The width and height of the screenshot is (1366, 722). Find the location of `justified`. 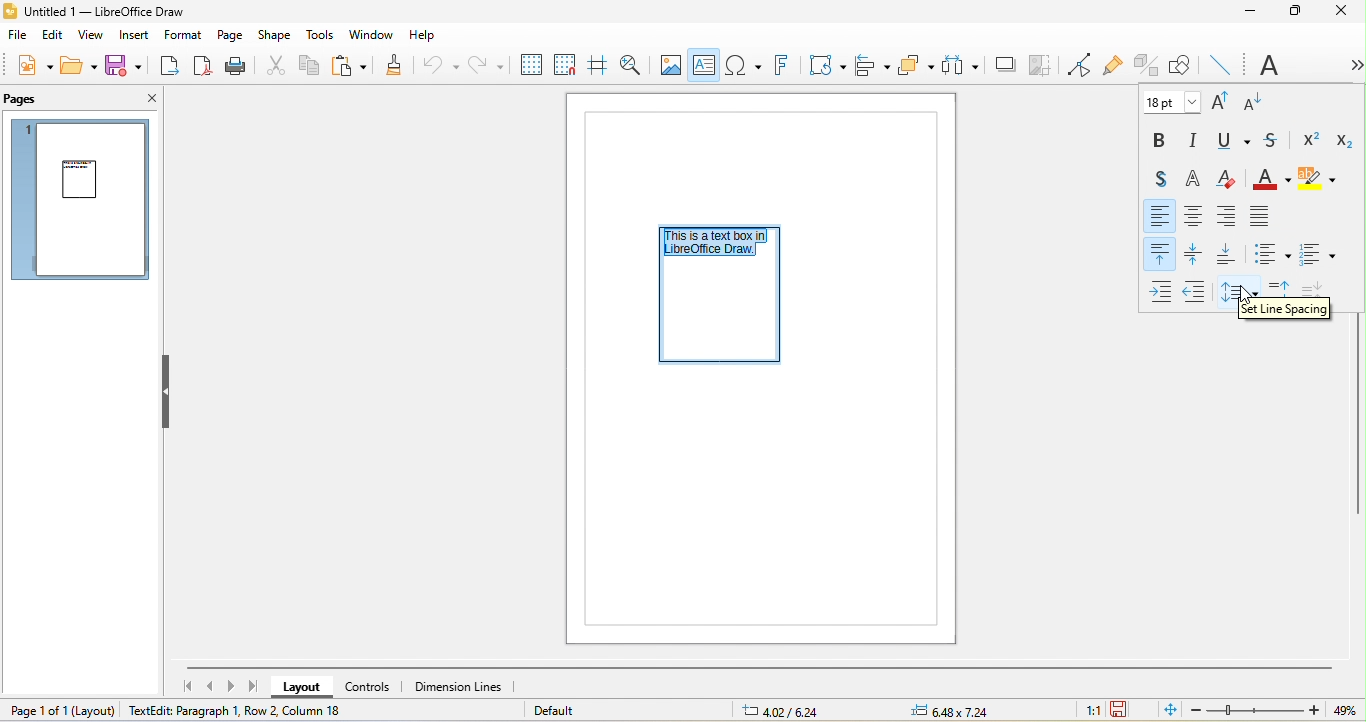

justified is located at coordinates (1259, 215).